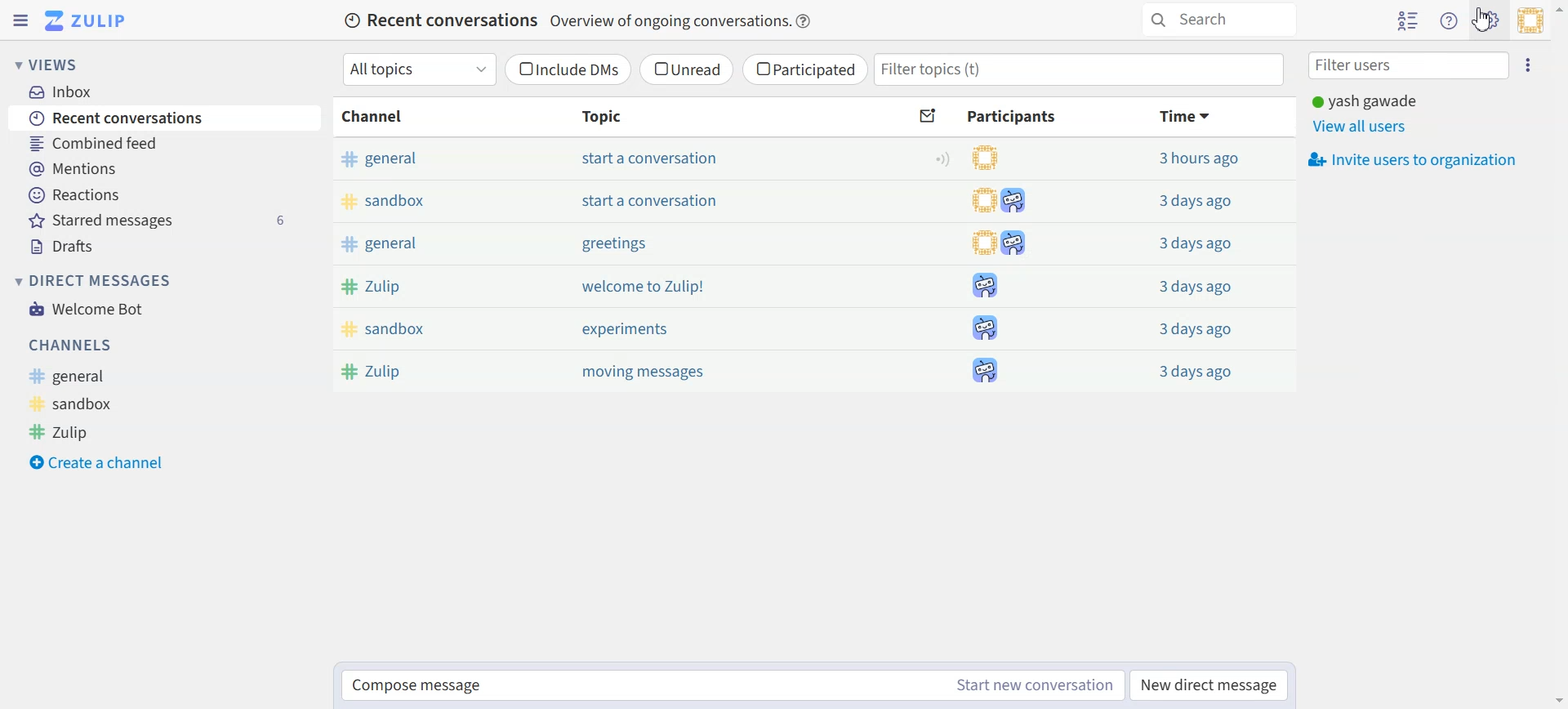  Describe the element at coordinates (730, 685) in the screenshot. I see `Compose message Start new conversation` at that location.